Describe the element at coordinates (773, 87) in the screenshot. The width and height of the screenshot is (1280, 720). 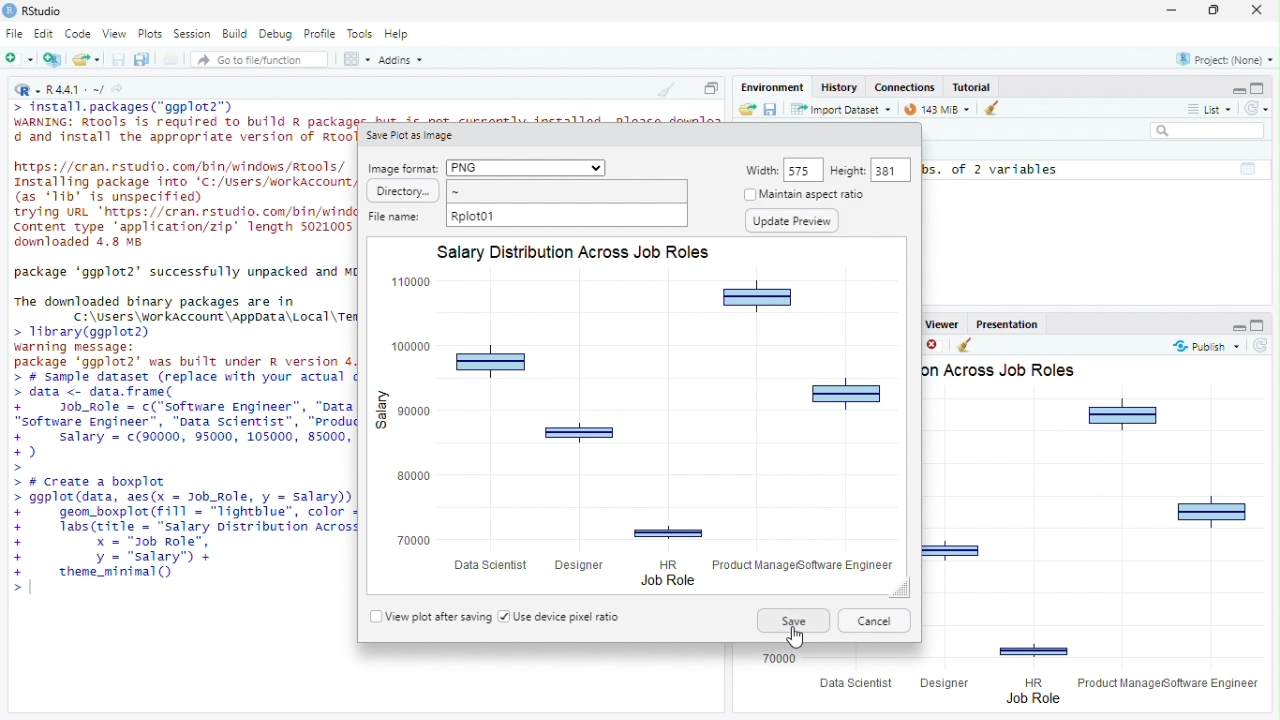
I see `Environment` at that location.